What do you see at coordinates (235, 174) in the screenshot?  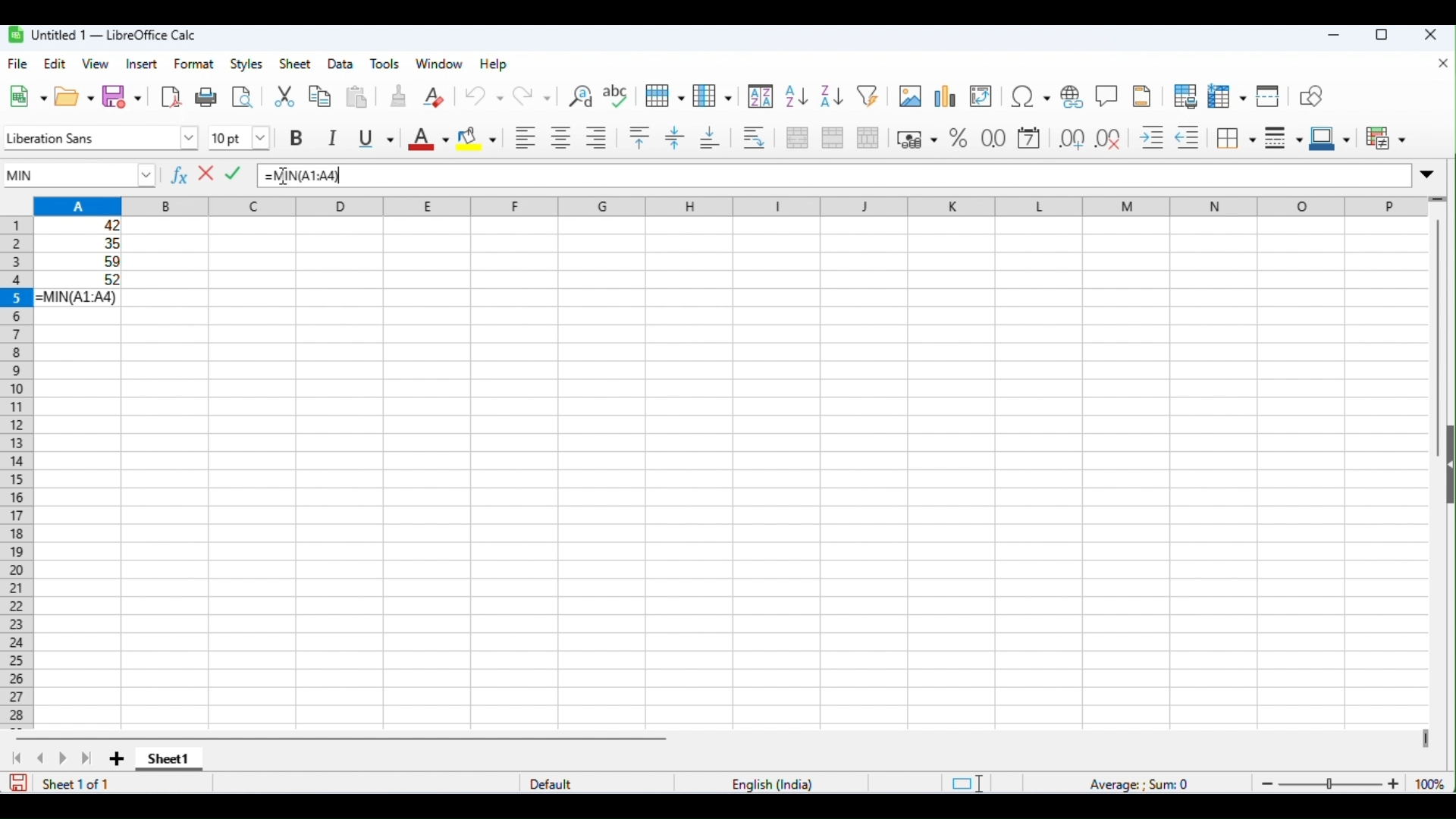 I see `accept` at bounding box center [235, 174].